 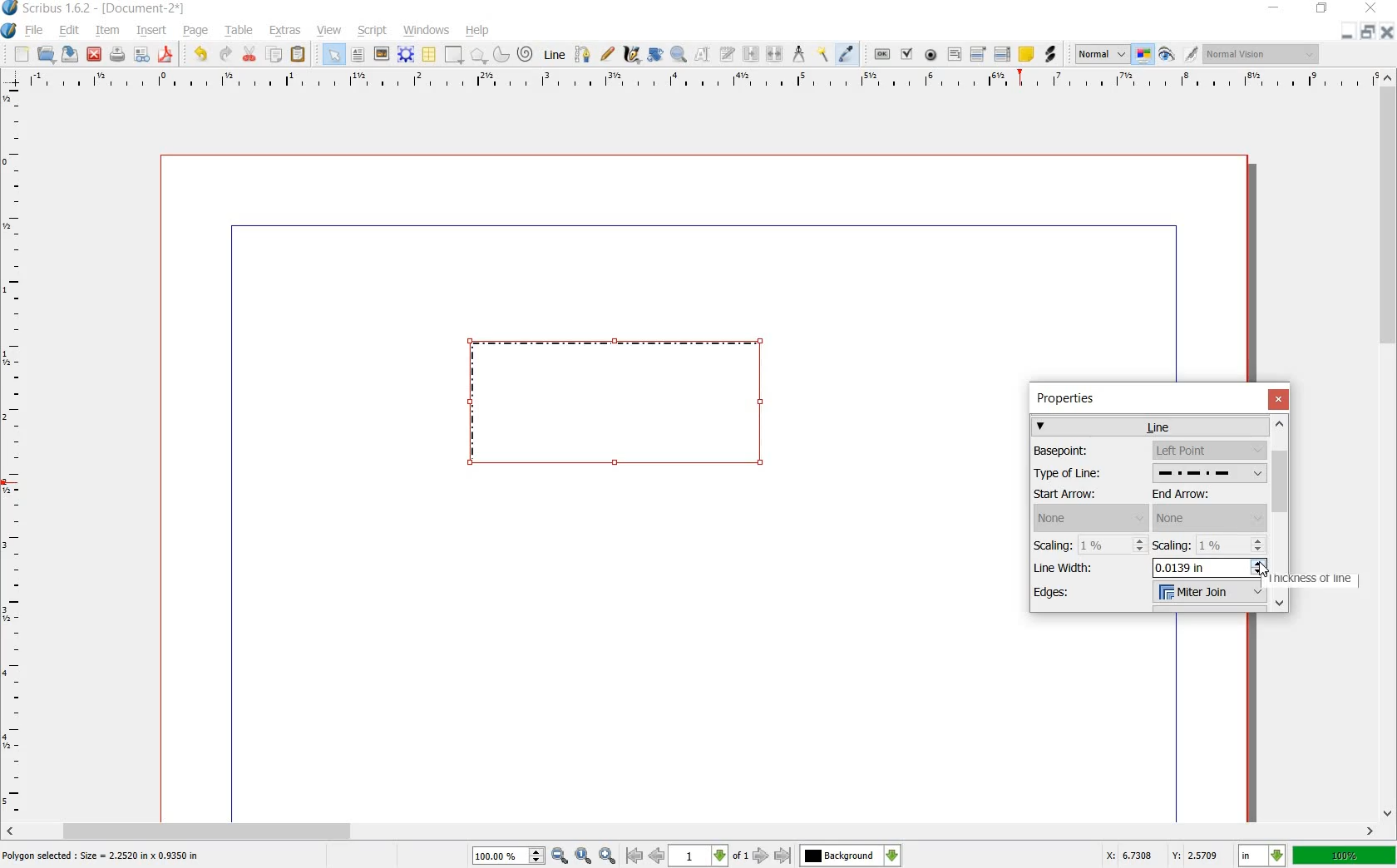 What do you see at coordinates (634, 856) in the screenshot?
I see `go to first page` at bounding box center [634, 856].